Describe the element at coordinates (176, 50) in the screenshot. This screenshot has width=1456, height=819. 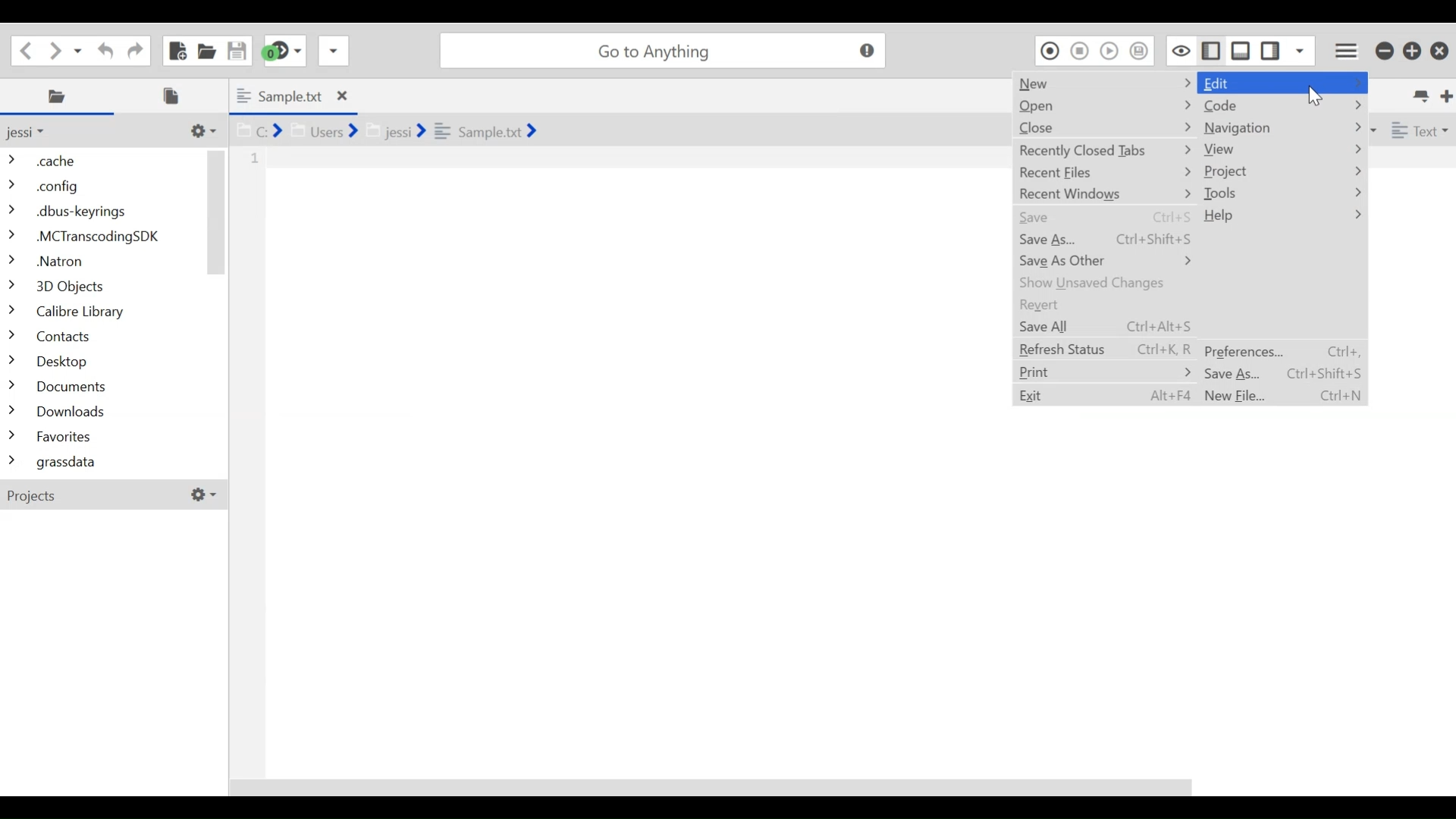
I see `New File` at that location.